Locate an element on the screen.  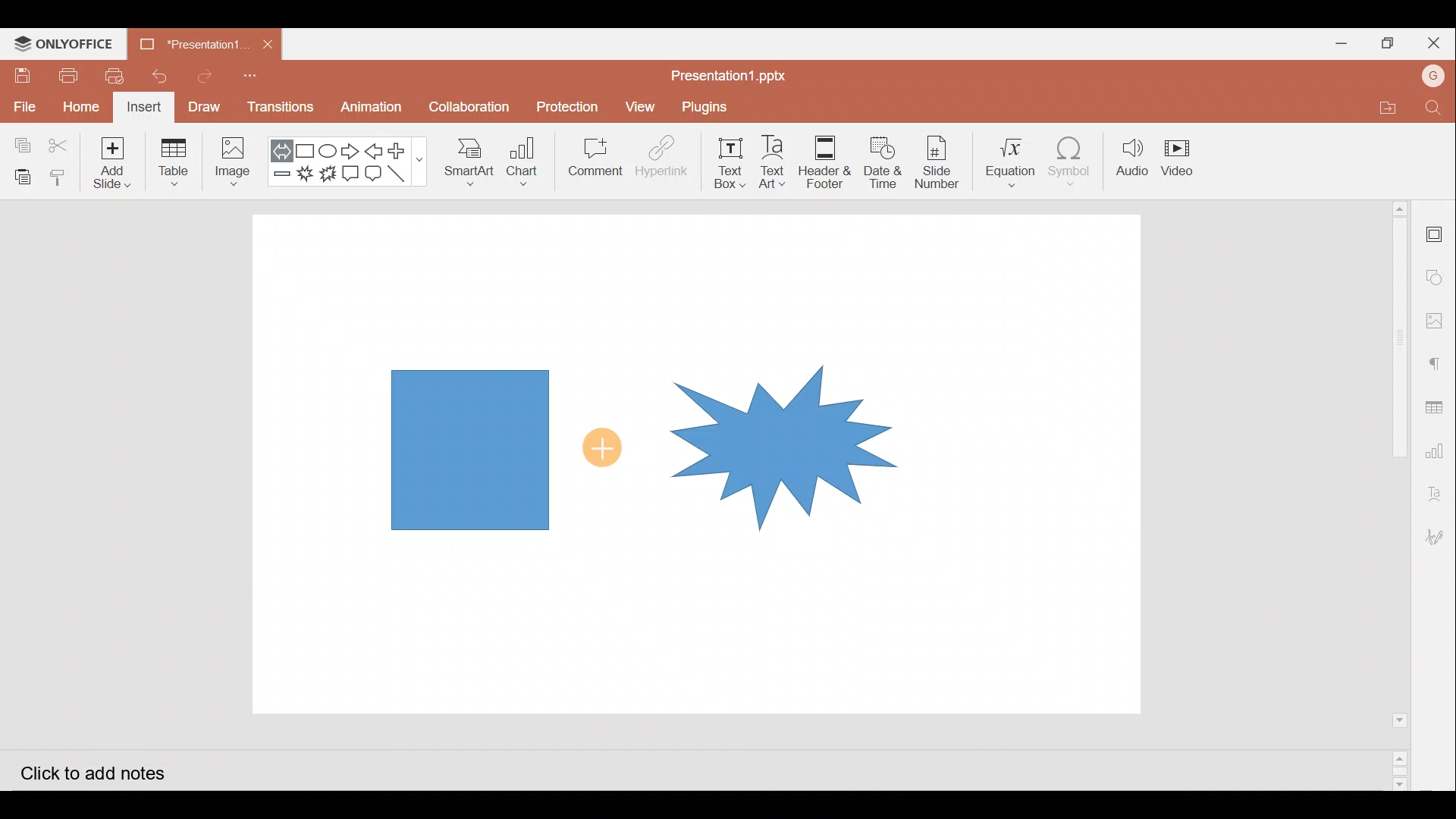
Rectangle shape is located at coordinates (468, 448).